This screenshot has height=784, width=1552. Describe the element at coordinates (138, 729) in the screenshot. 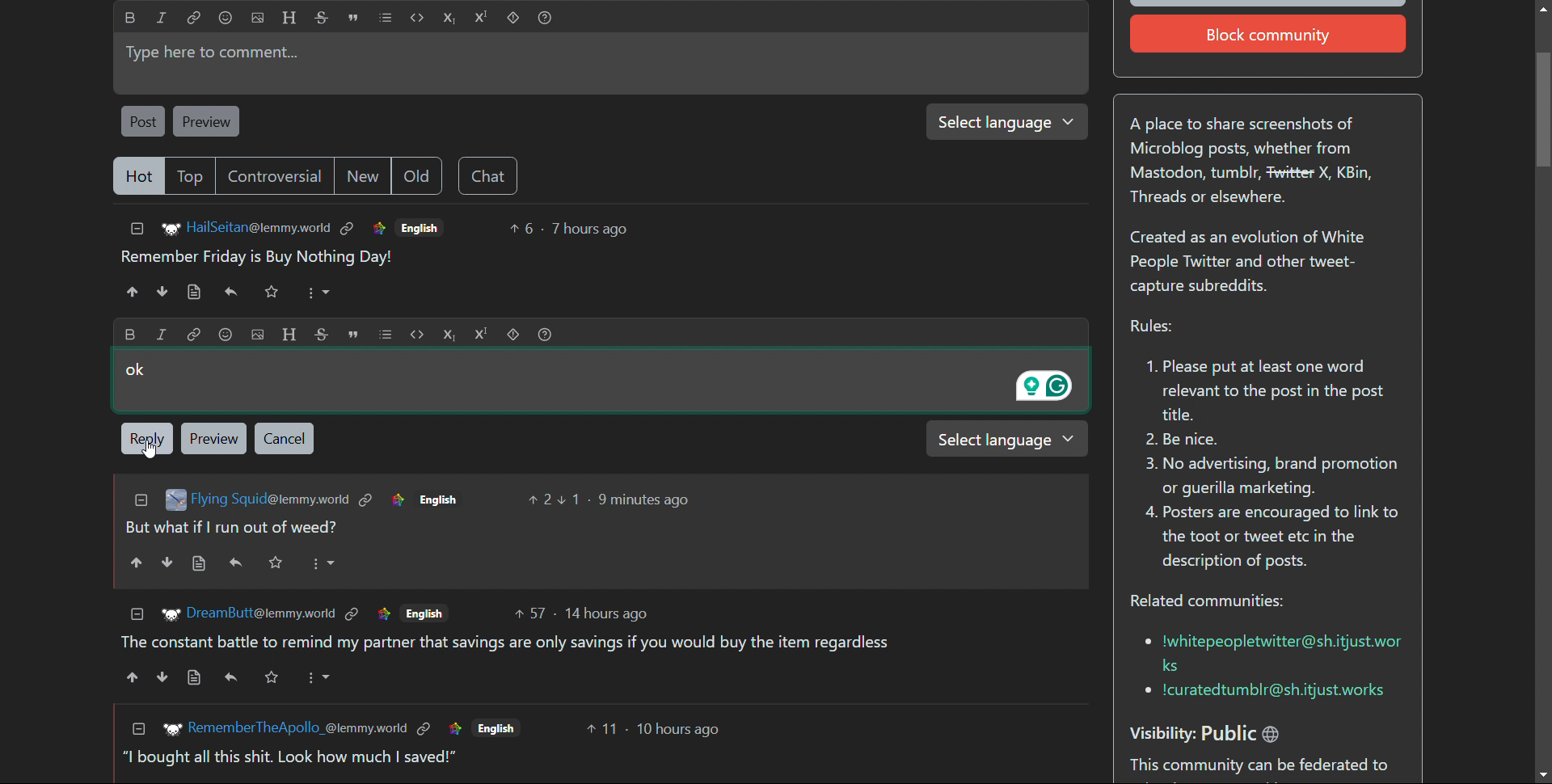

I see `collapse` at that location.